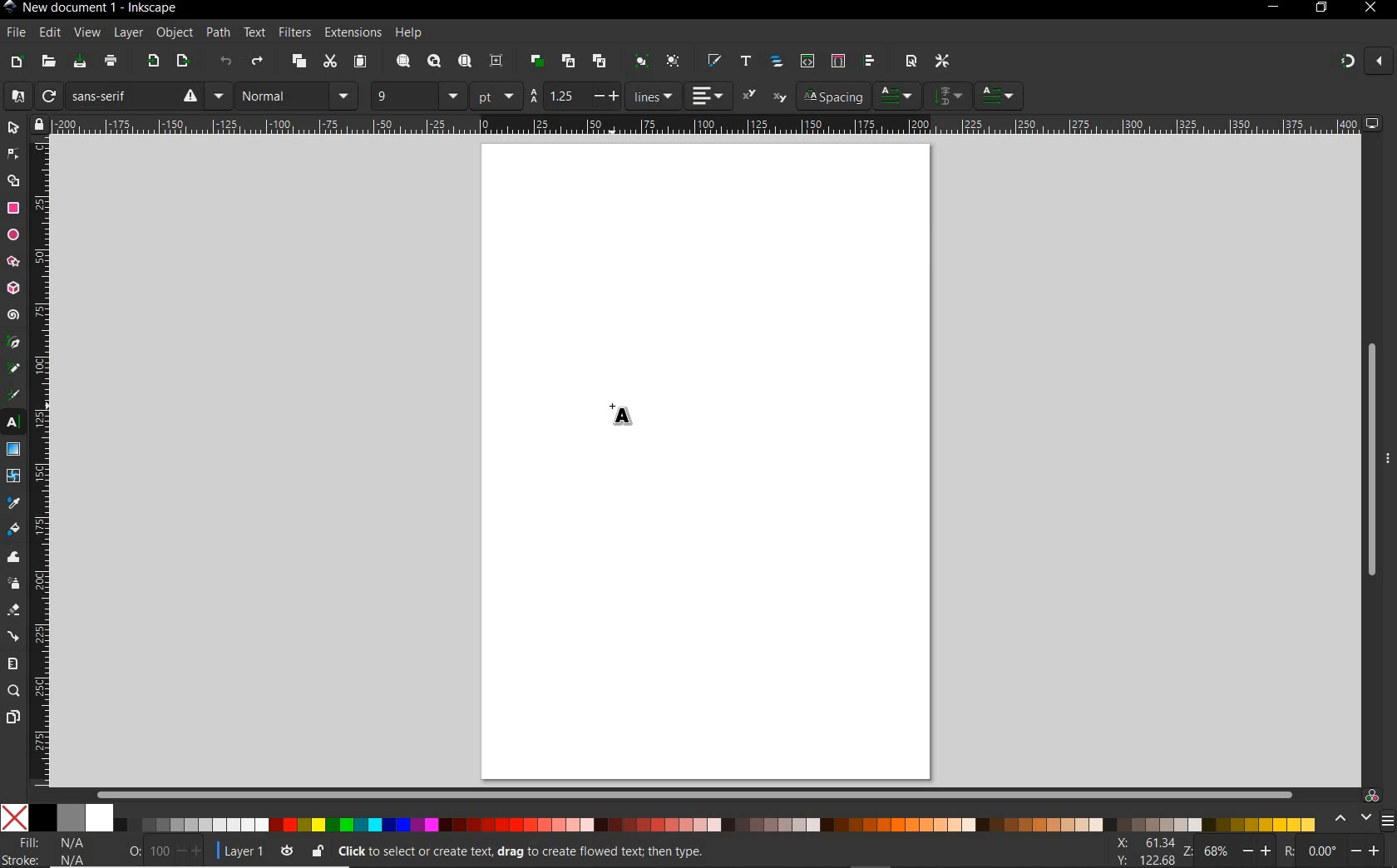 The image size is (1397, 868). Describe the element at coordinates (41, 462) in the screenshot. I see `ruler` at that location.